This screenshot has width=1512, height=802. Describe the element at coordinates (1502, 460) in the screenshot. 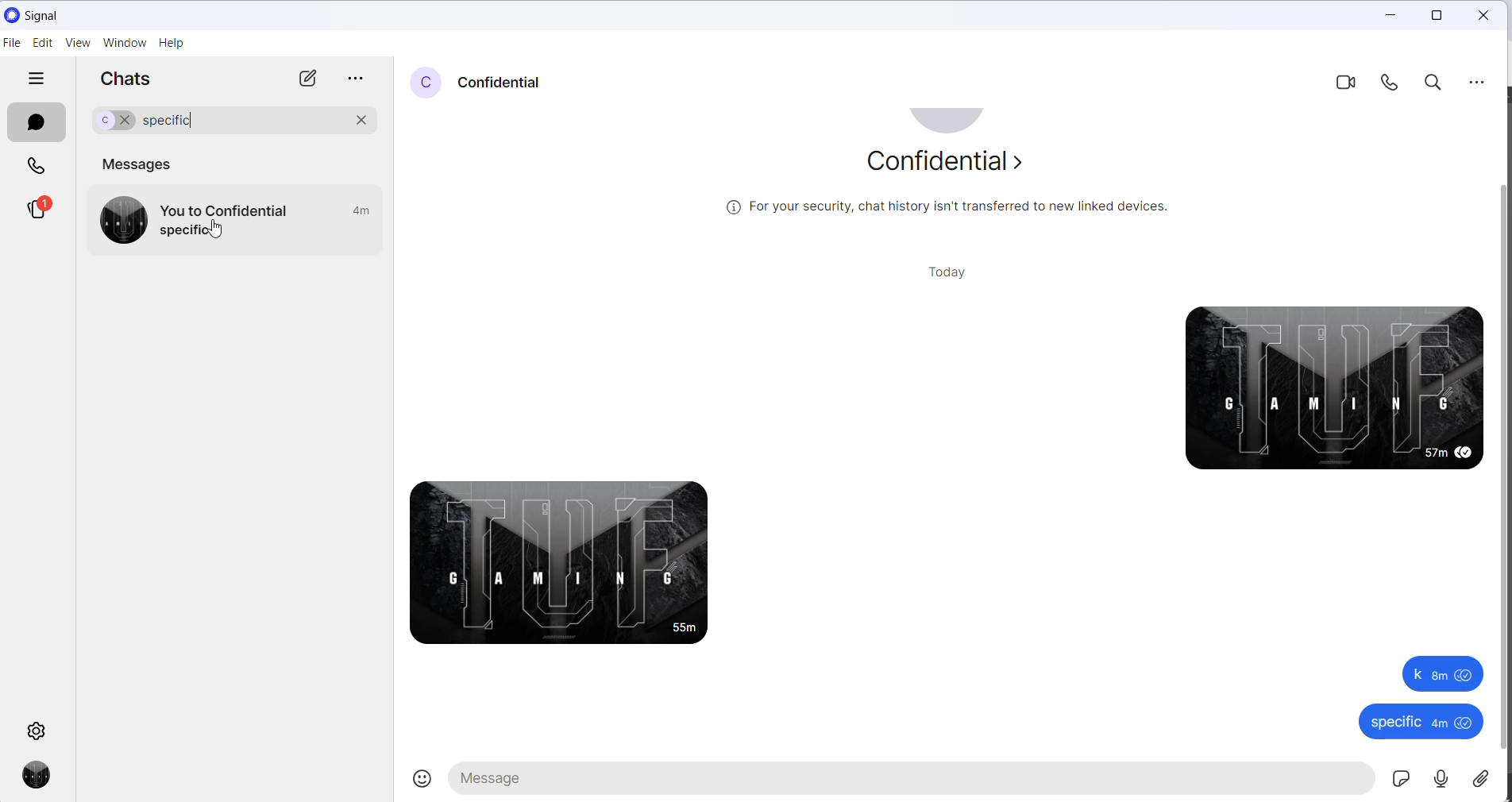

I see `scrollbar` at that location.